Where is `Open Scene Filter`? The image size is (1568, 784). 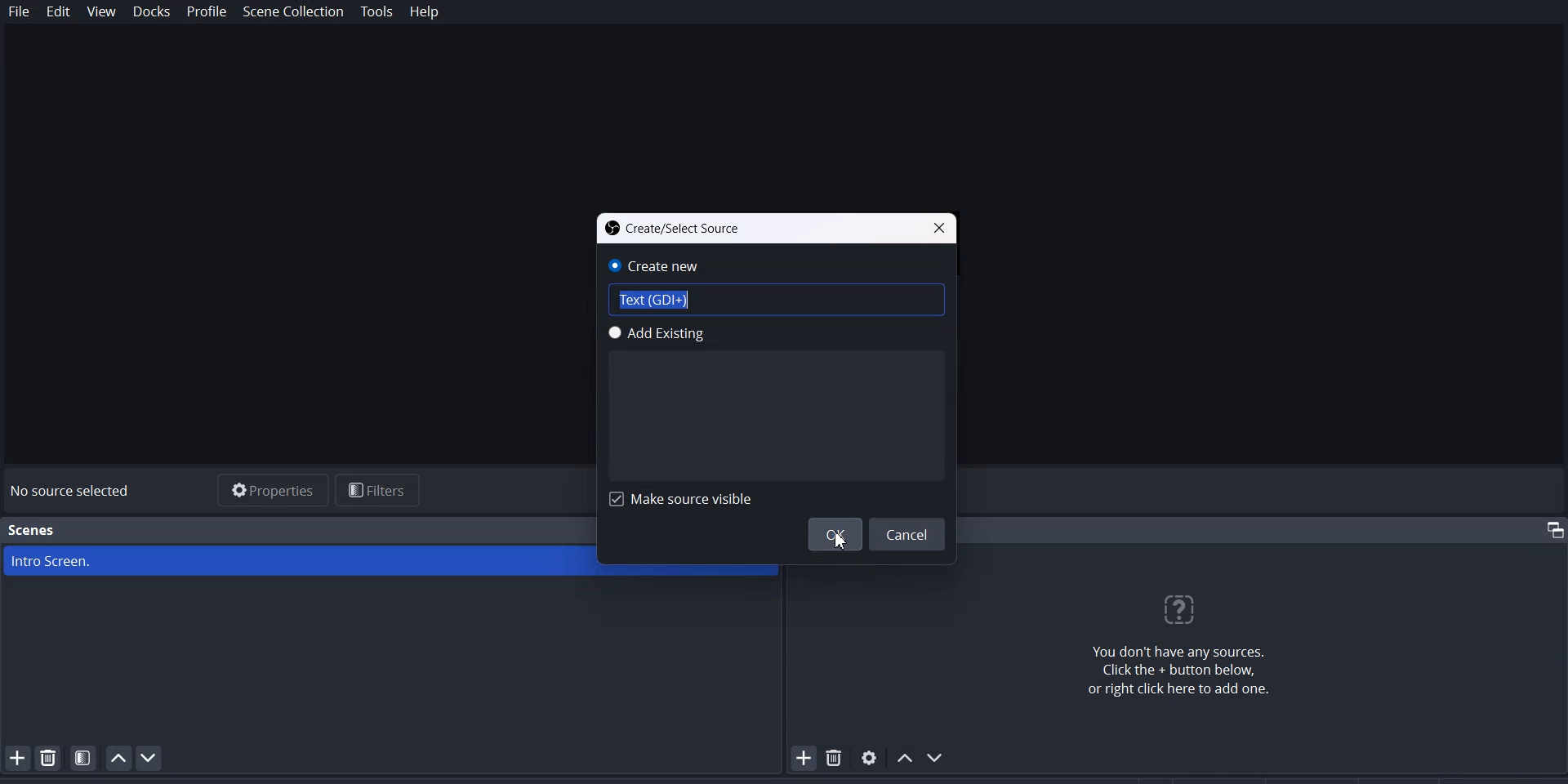 Open Scene Filter is located at coordinates (83, 757).